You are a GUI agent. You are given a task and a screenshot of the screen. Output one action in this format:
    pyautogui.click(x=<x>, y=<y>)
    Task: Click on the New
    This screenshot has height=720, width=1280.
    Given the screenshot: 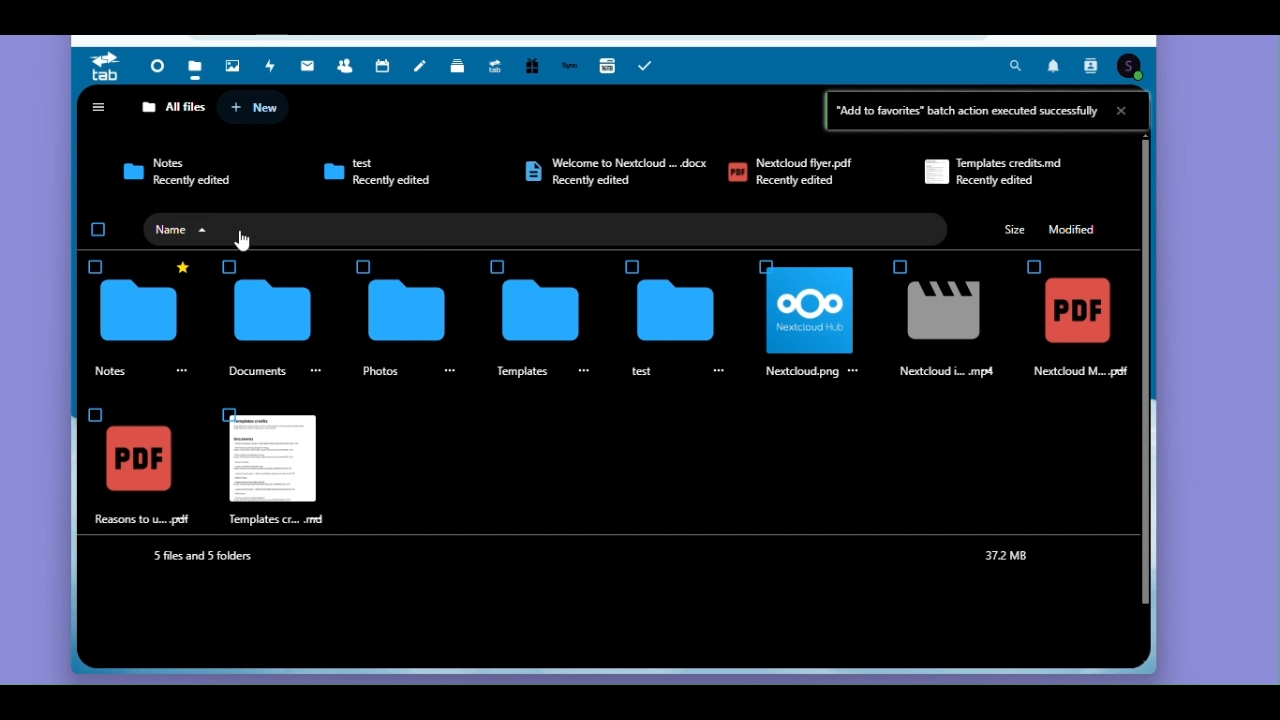 What is the action you would take?
    pyautogui.click(x=258, y=107)
    